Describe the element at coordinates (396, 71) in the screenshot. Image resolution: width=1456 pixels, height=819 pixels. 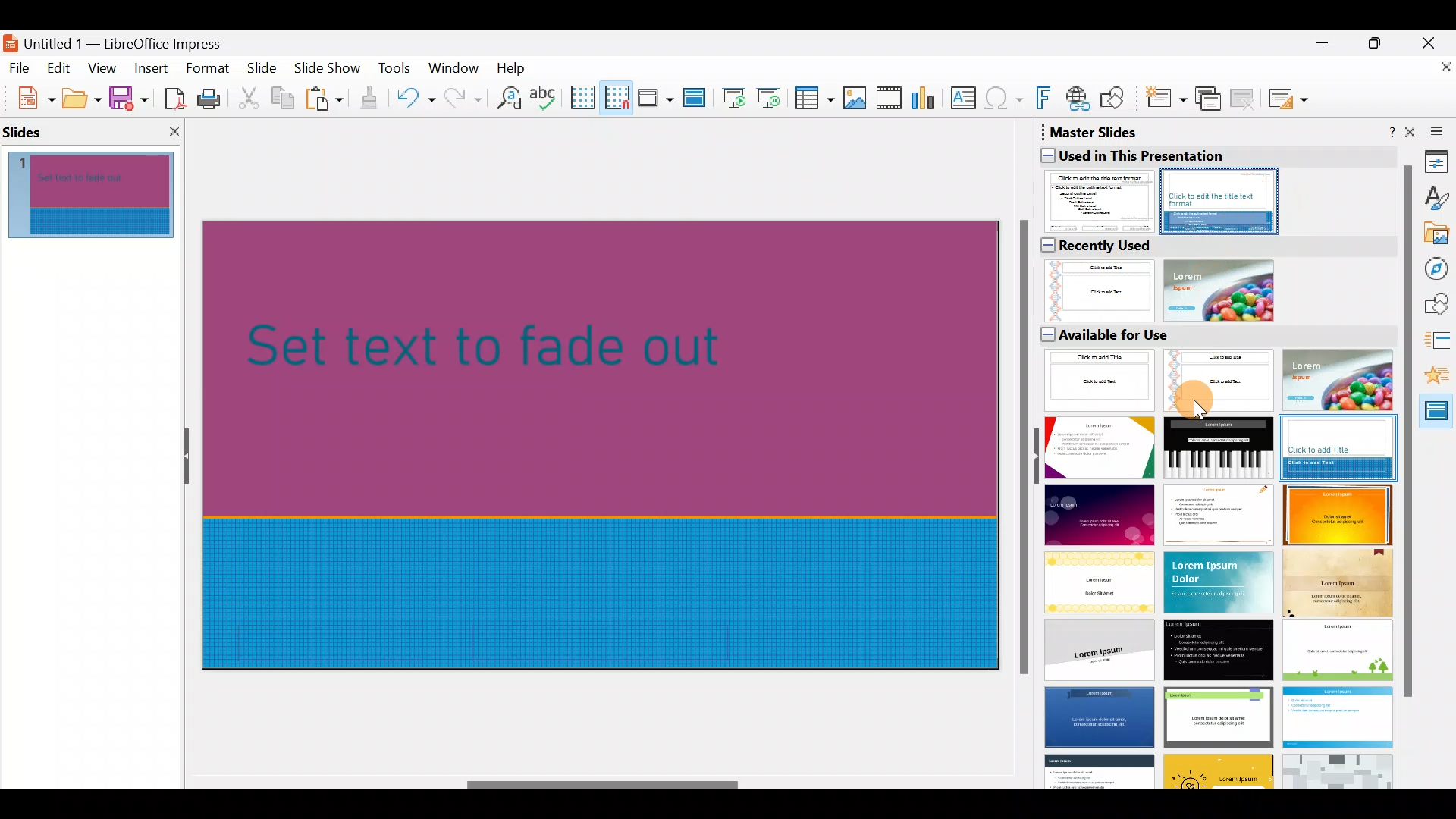
I see `Tools` at that location.